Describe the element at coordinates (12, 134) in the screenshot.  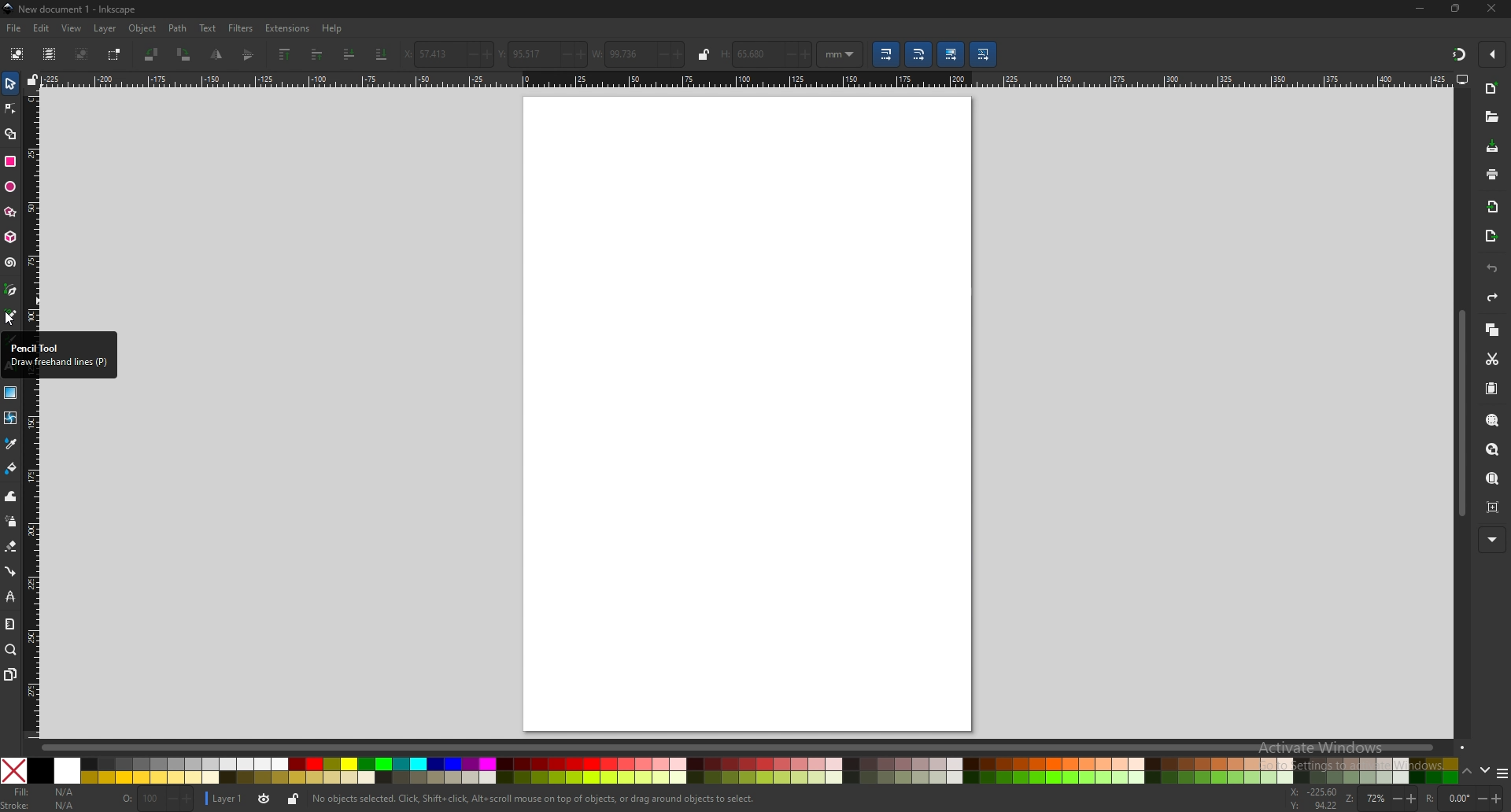
I see `shape builder` at that location.